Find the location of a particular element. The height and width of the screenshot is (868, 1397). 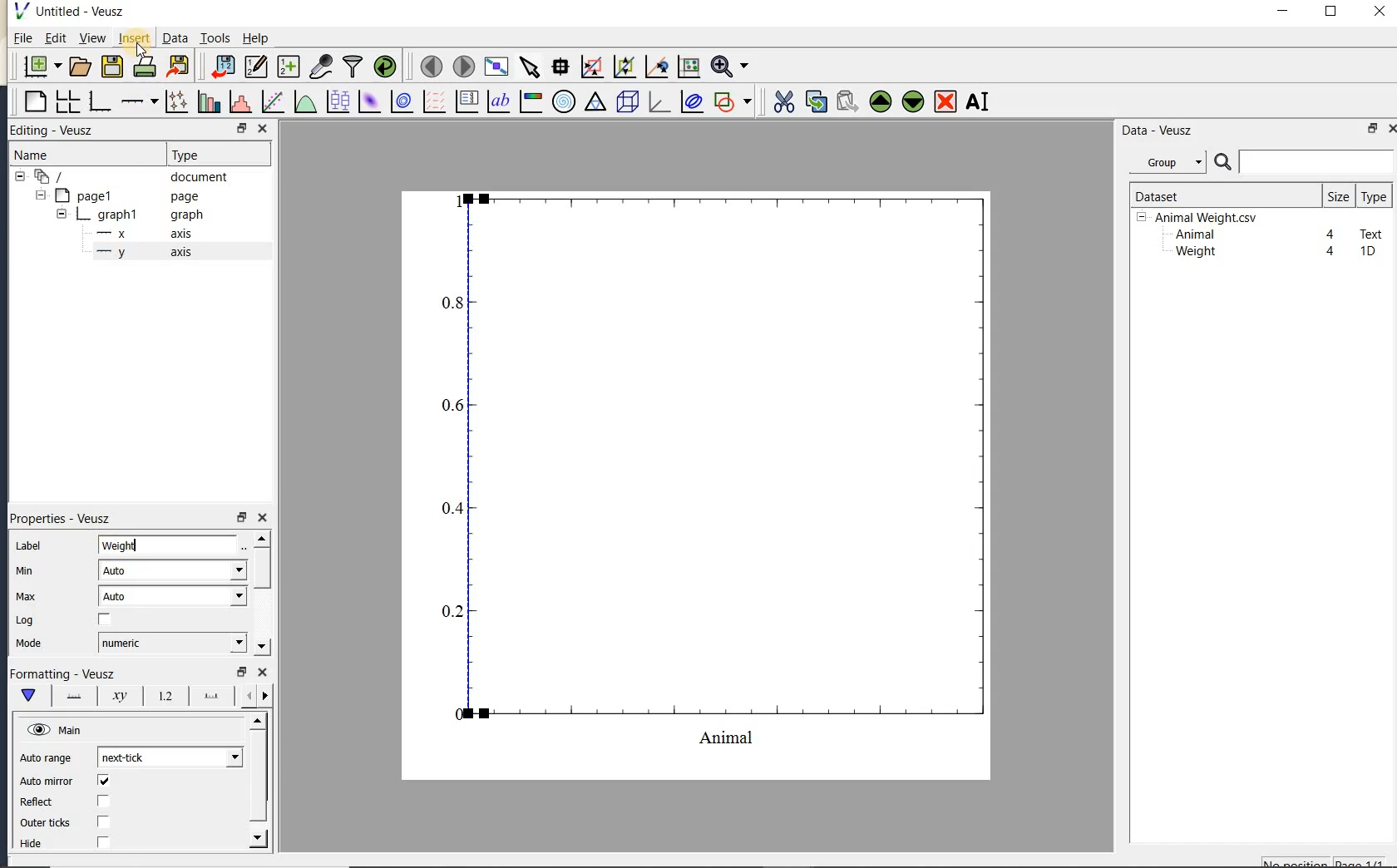

Animal is located at coordinates (1193, 235).